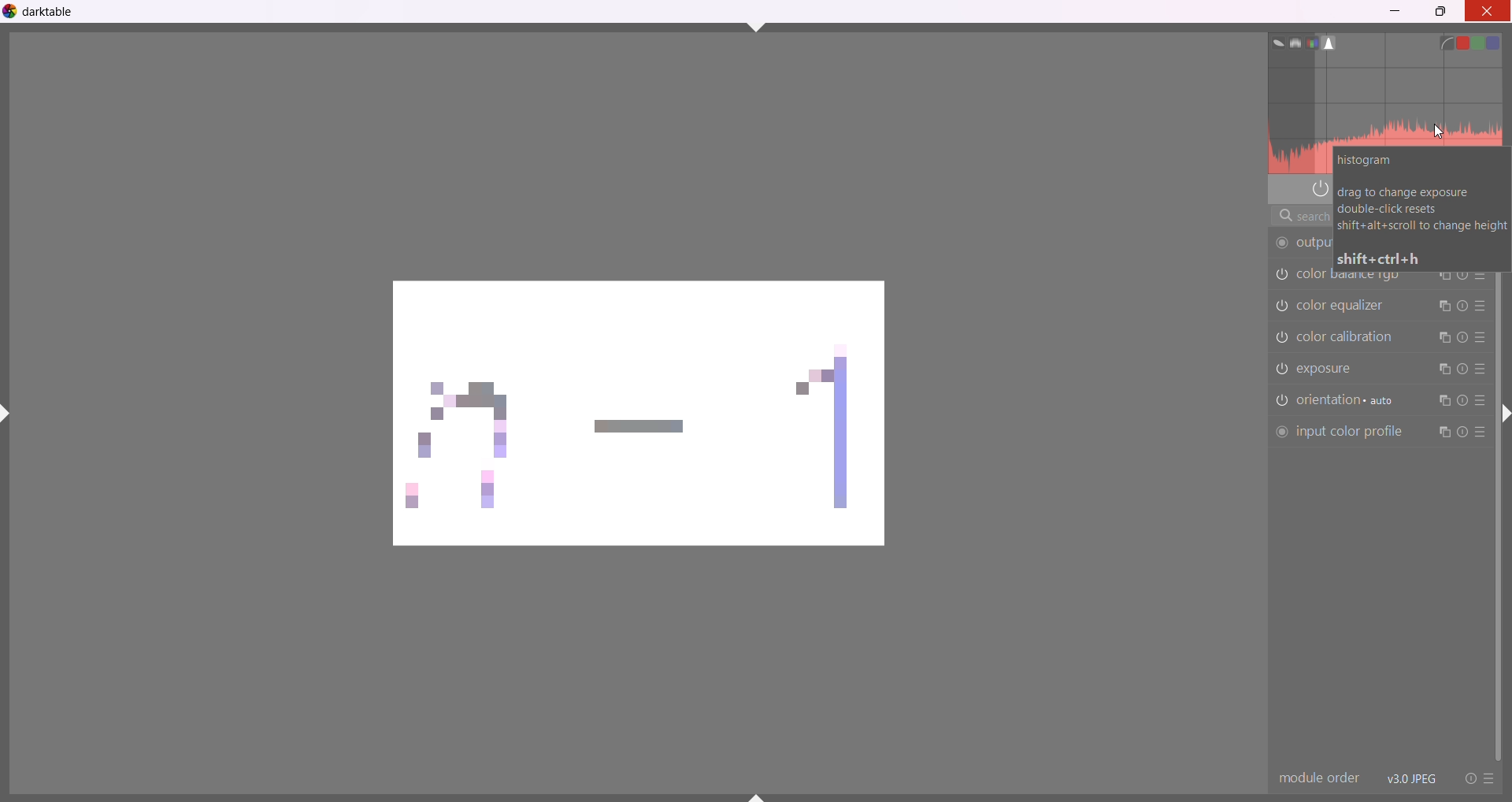 The image size is (1512, 802). Describe the element at coordinates (647, 410) in the screenshot. I see `changed color balance` at that location.